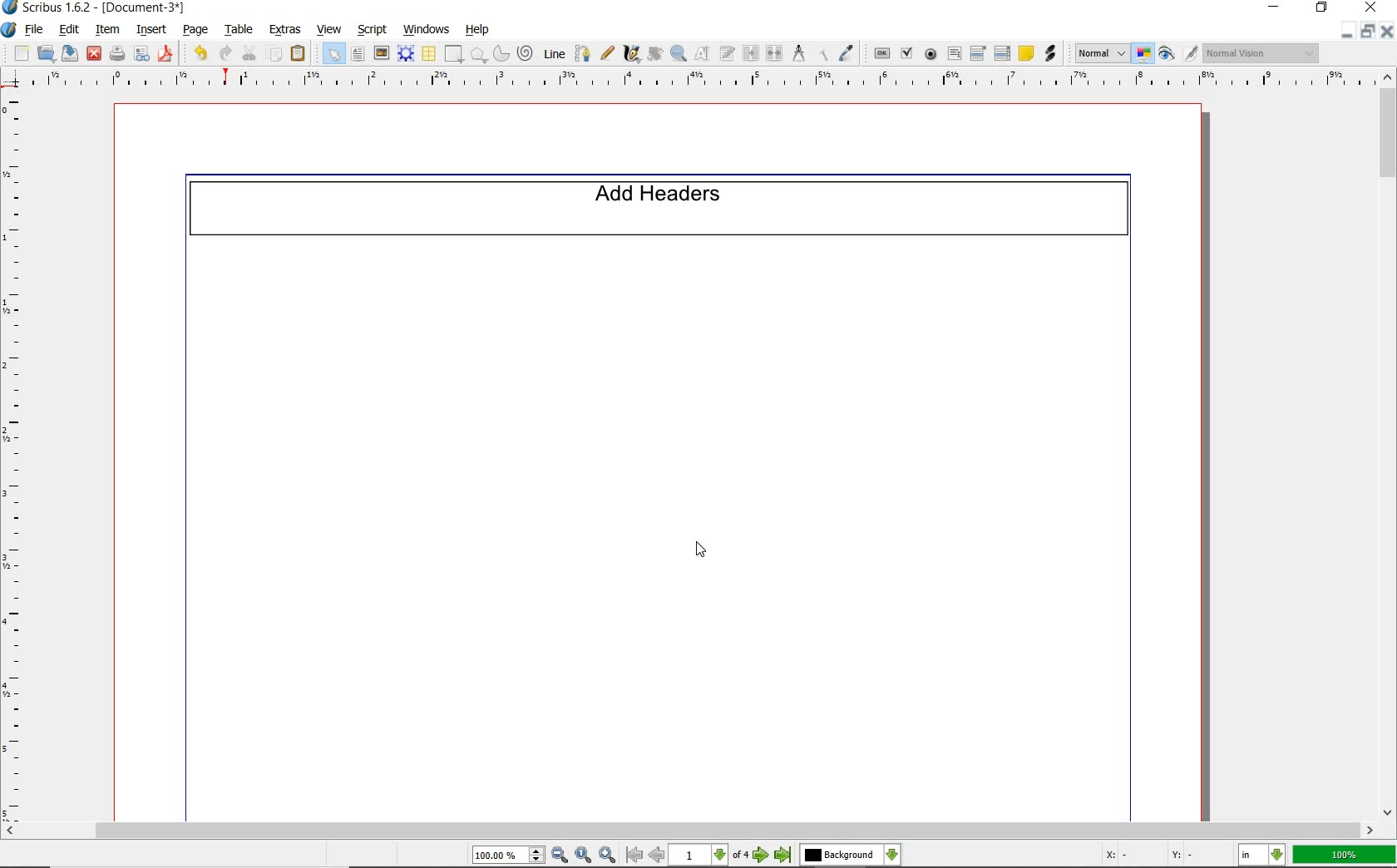 Image resolution: width=1397 pixels, height=868 pixels. Describe the element at coordinates (528, 53) in the screenshot. I see `spiral` at that location.